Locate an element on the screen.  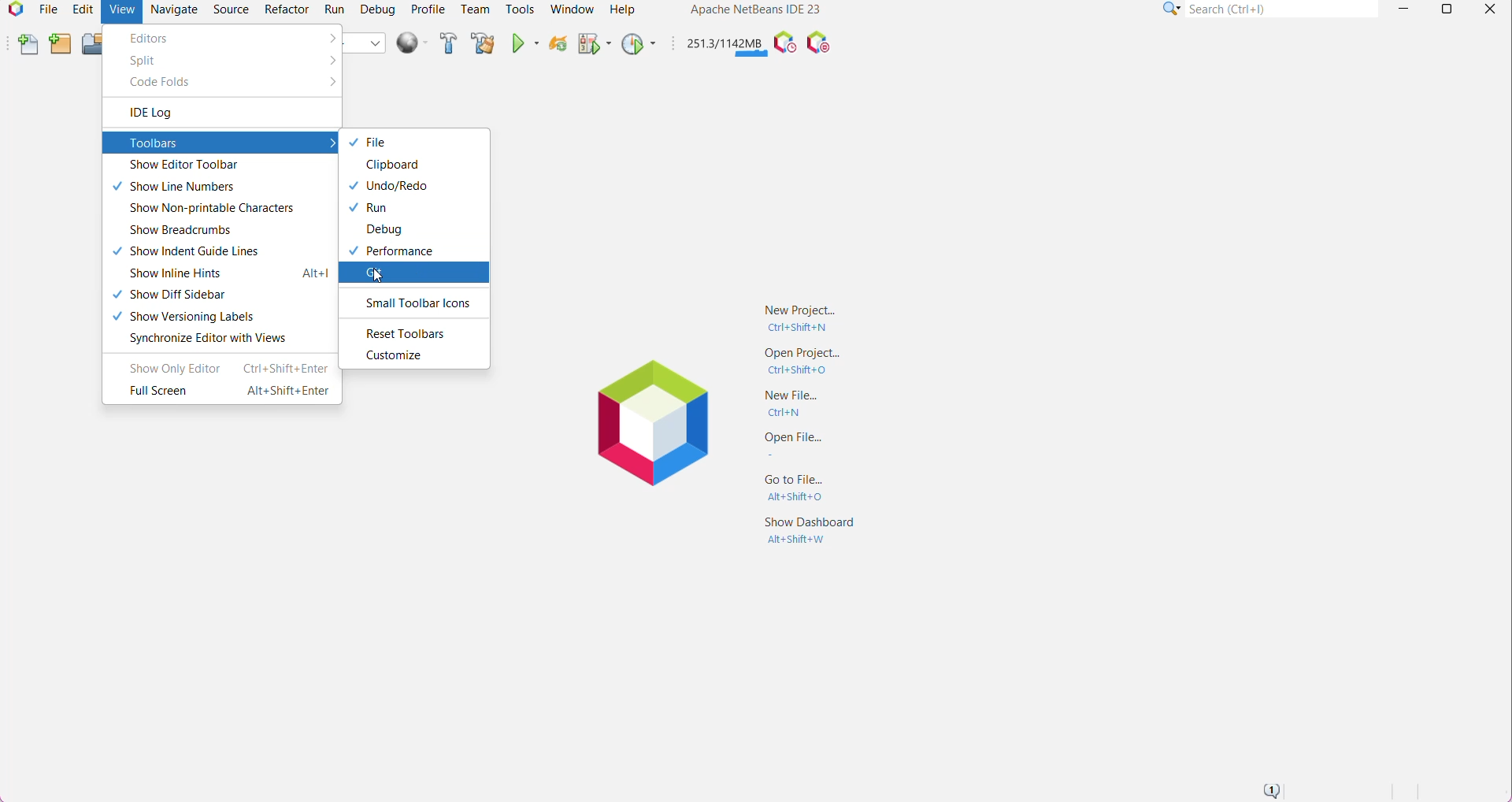
New File is located at coordinates (800, 404).